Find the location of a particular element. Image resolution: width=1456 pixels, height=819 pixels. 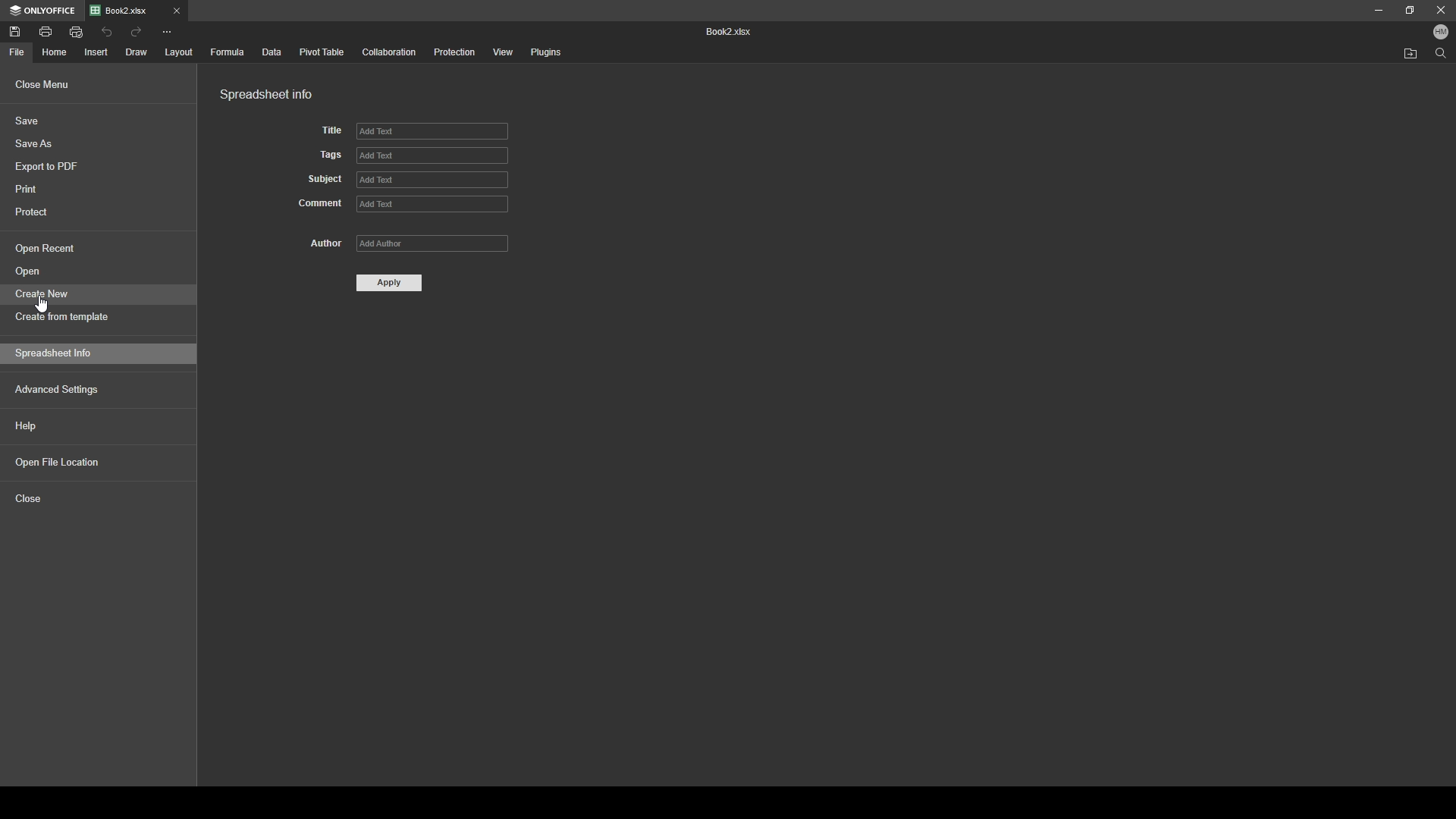

protection is located at coordinates (455, 52).